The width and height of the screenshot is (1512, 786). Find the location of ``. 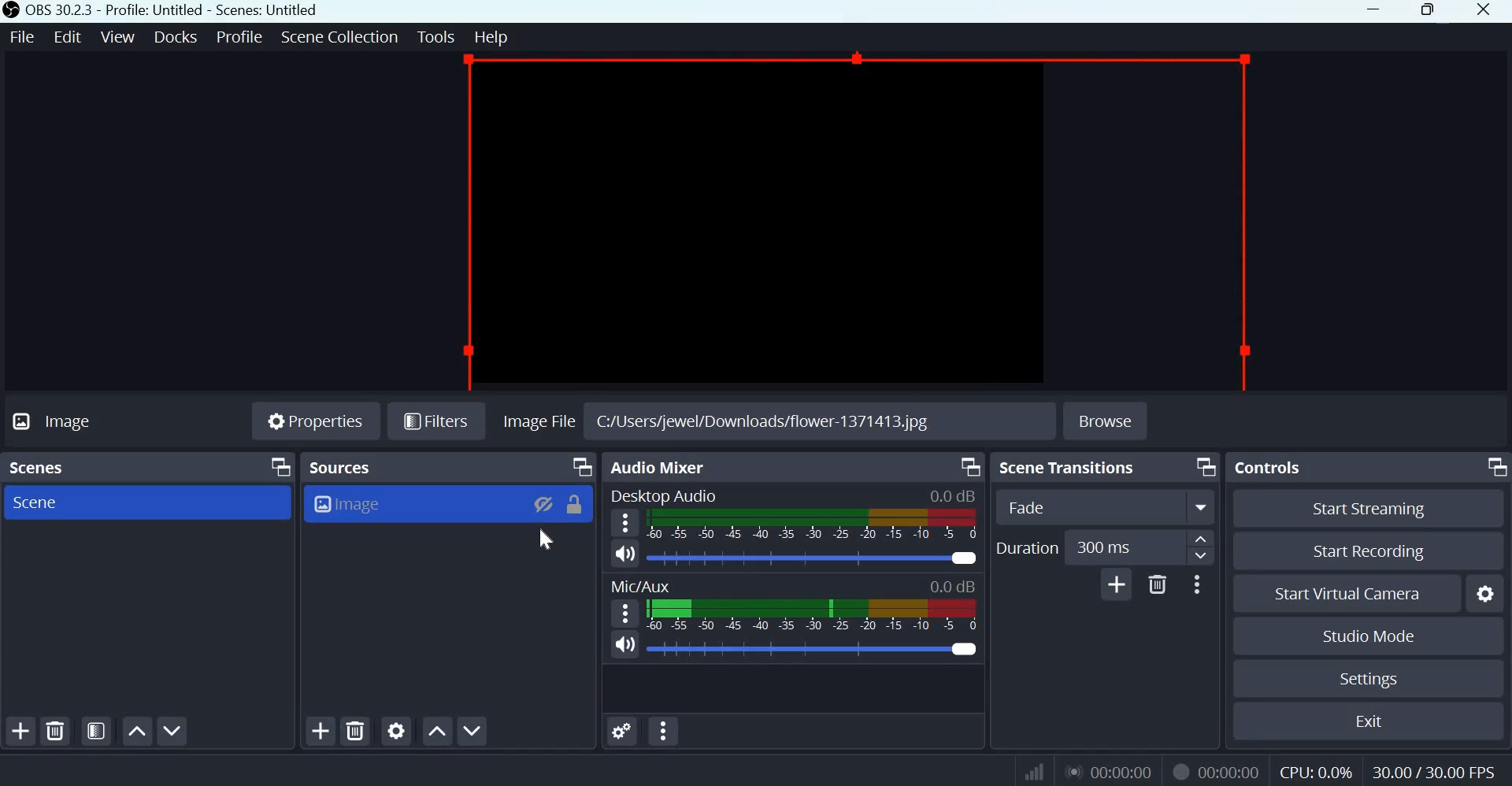

 is located at coordinates (662, 730).